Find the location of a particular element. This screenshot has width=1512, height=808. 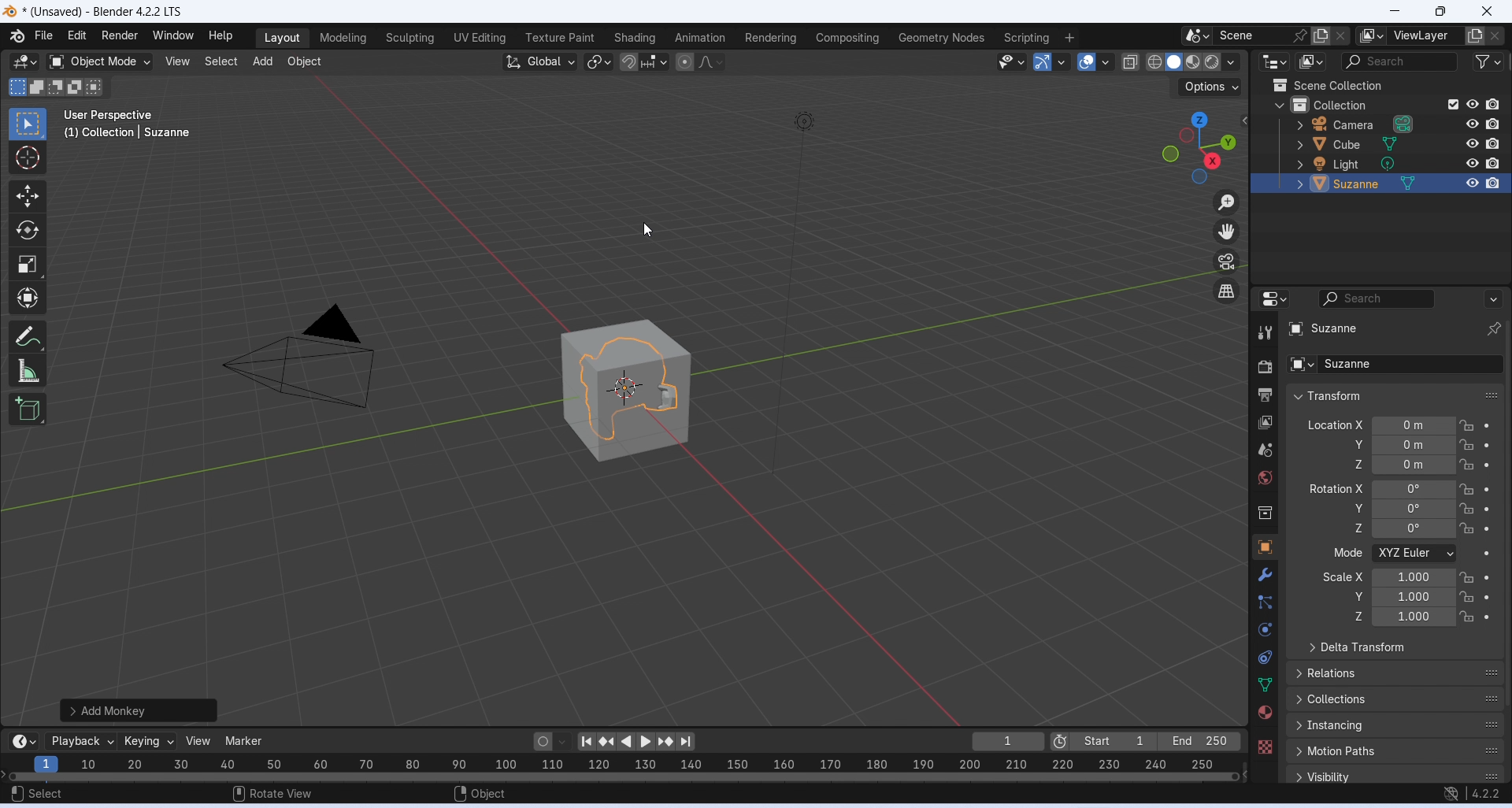

Switch the current view from the prespective is located at coordinates (1228, 292).